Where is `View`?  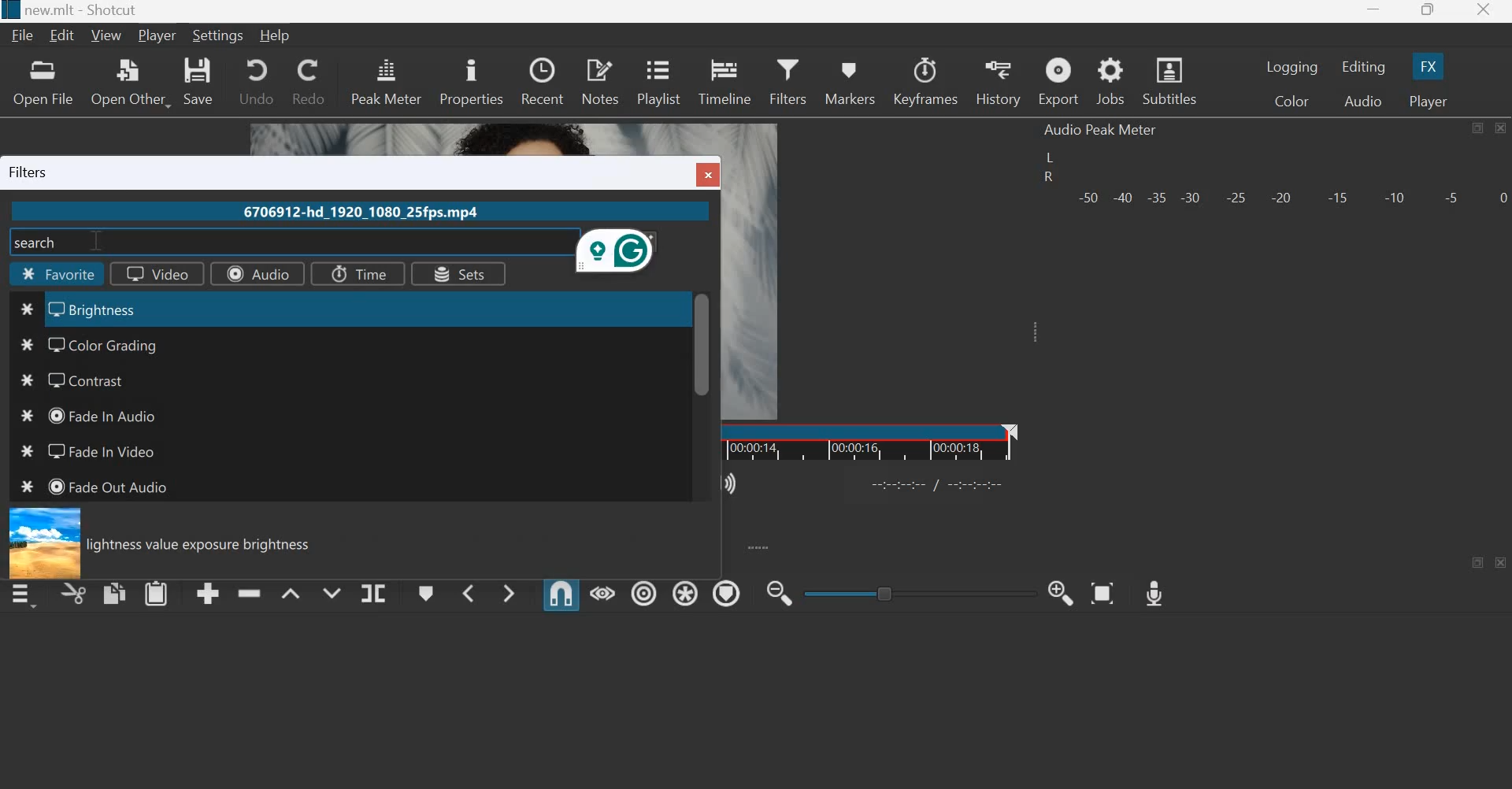 View is located at coordinates (109, 35).